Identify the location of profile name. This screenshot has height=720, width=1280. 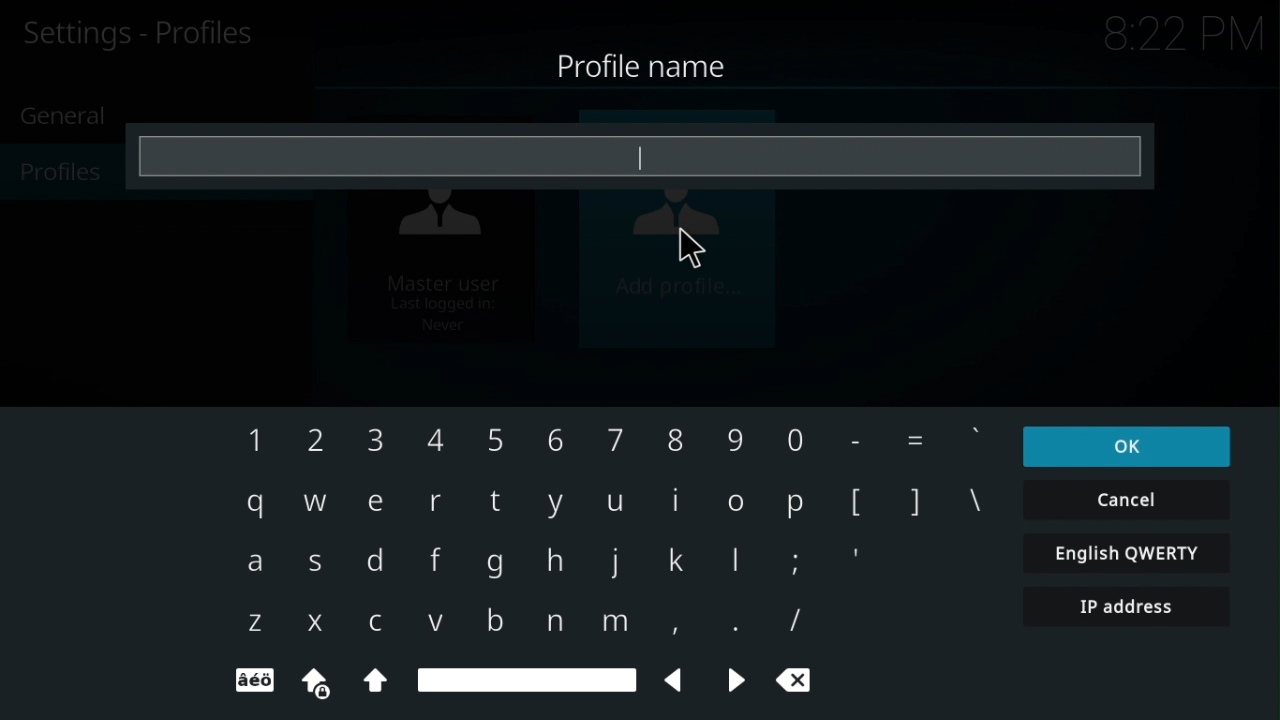
(638, 60).